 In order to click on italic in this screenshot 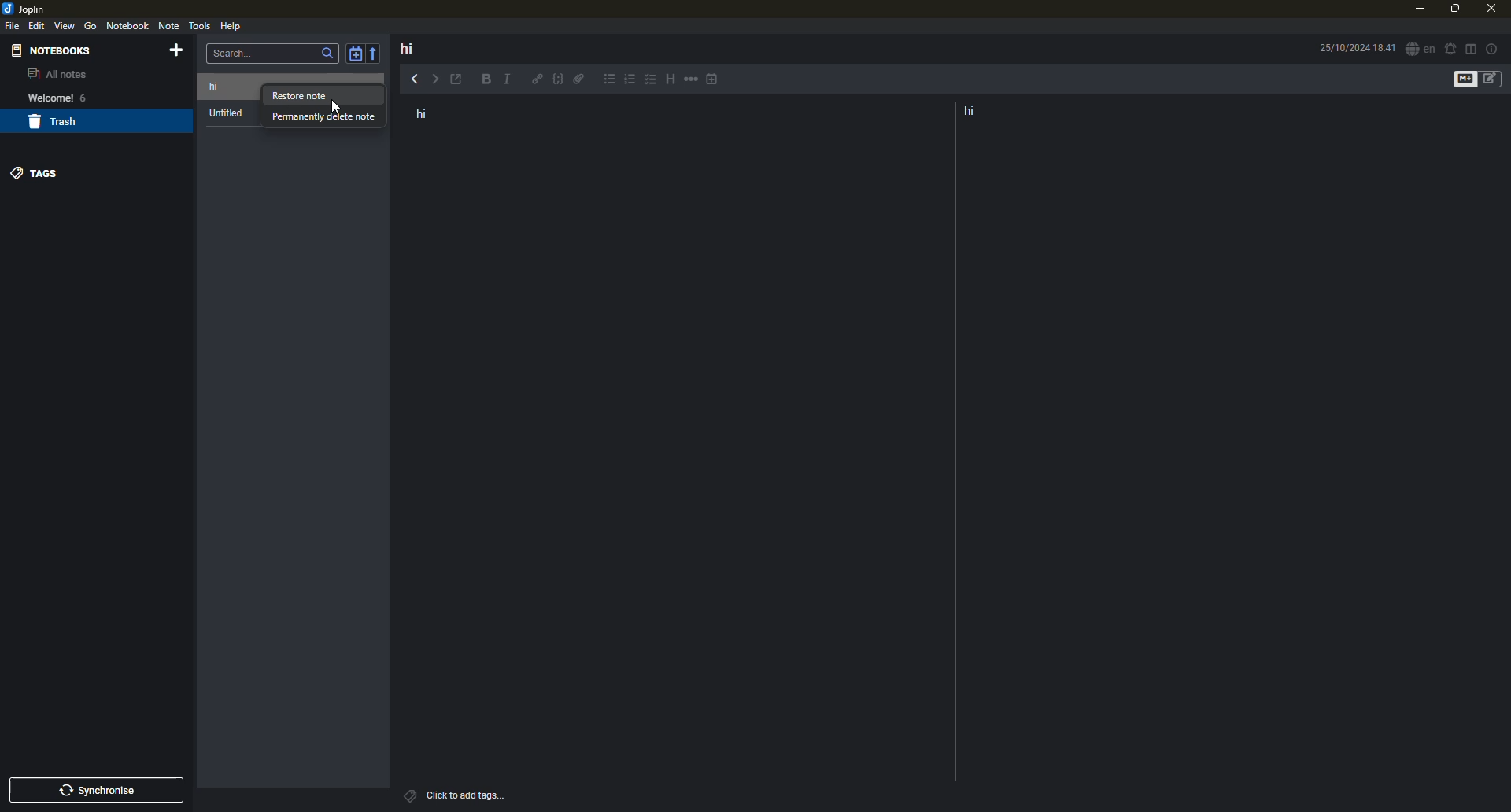, I will do `click(511, 80)`.